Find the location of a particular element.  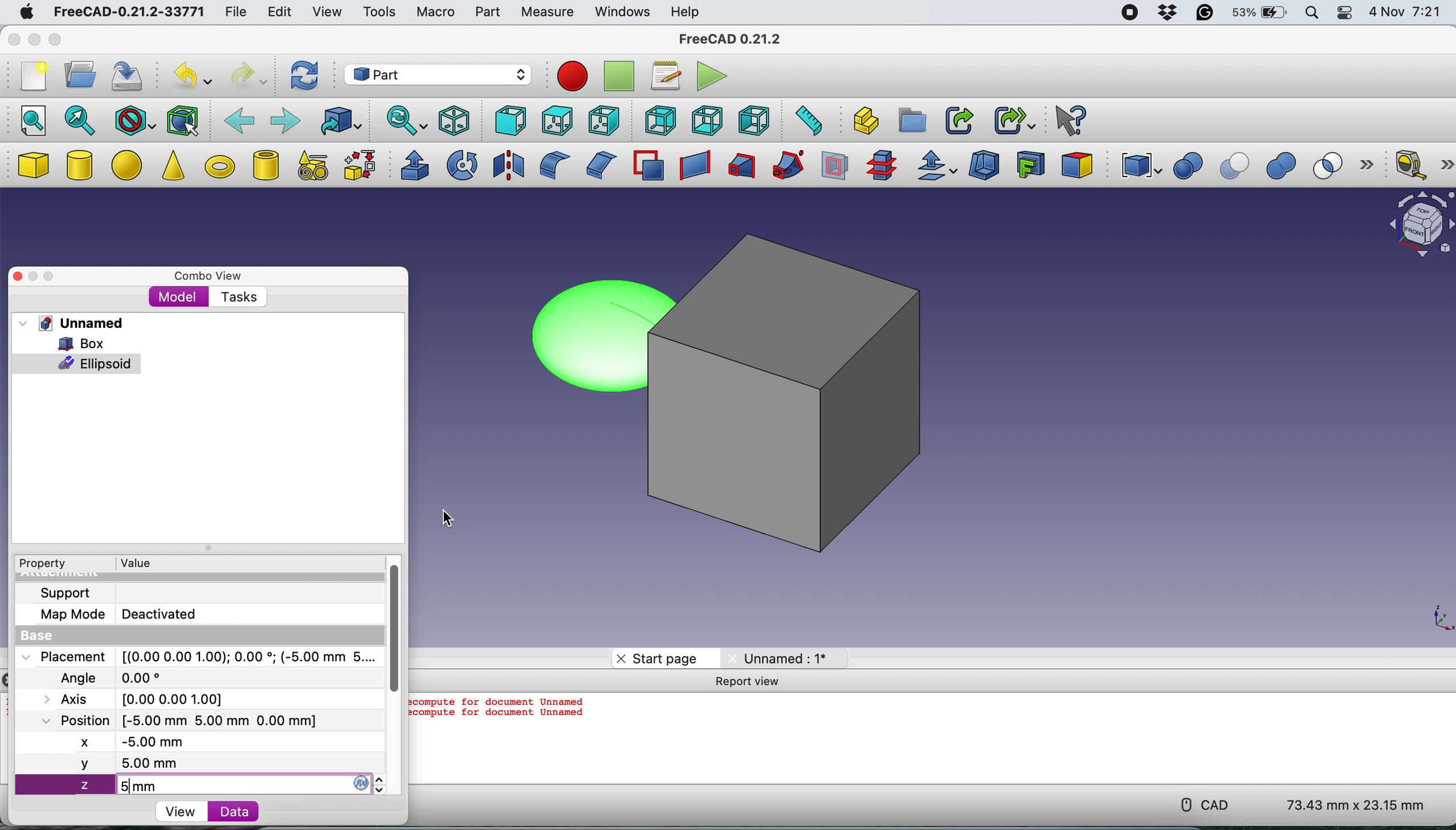

close is located at coordinates (18, 276).